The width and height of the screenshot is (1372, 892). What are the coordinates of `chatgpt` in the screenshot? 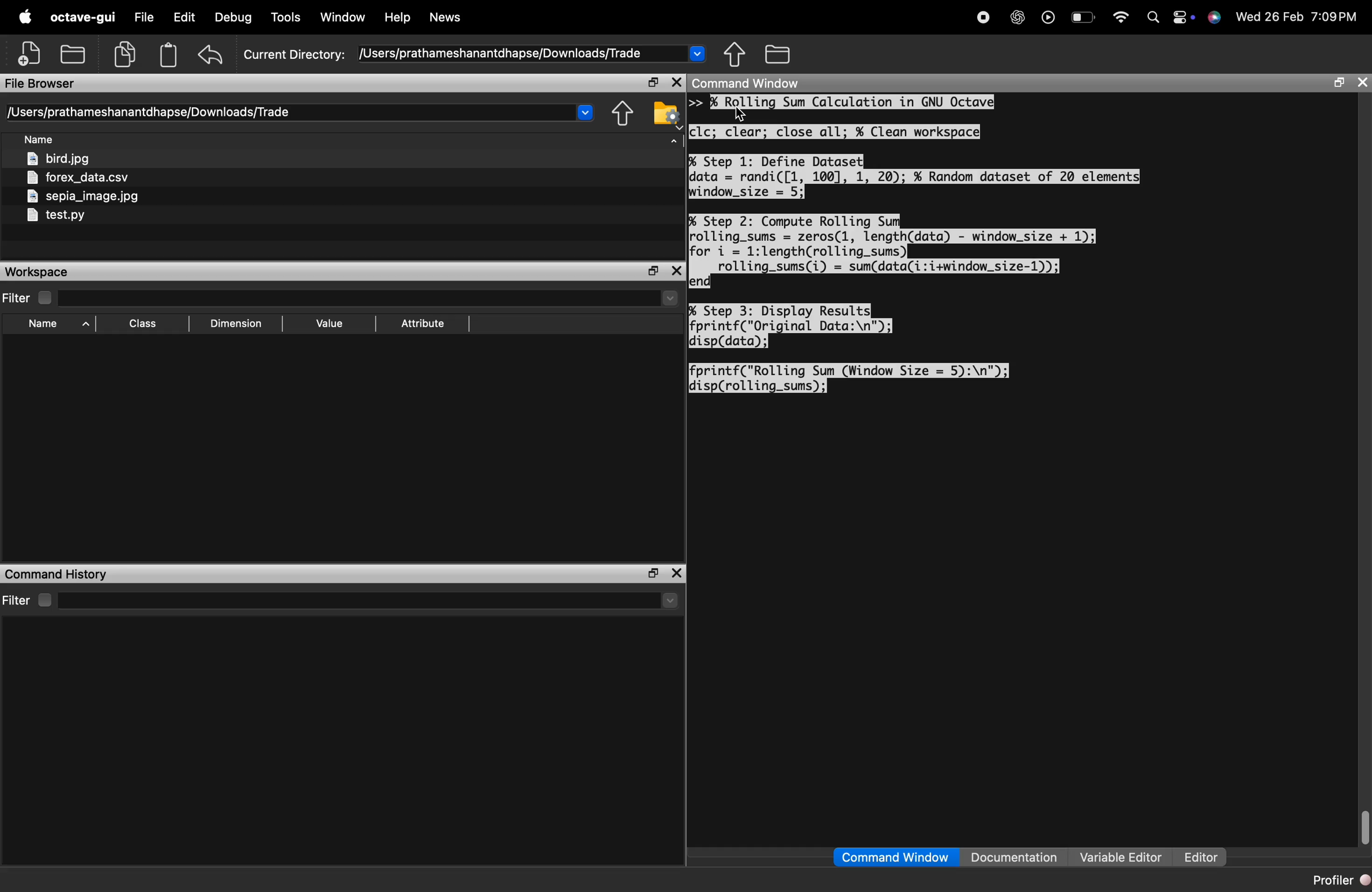 It's located at (1017, 18).